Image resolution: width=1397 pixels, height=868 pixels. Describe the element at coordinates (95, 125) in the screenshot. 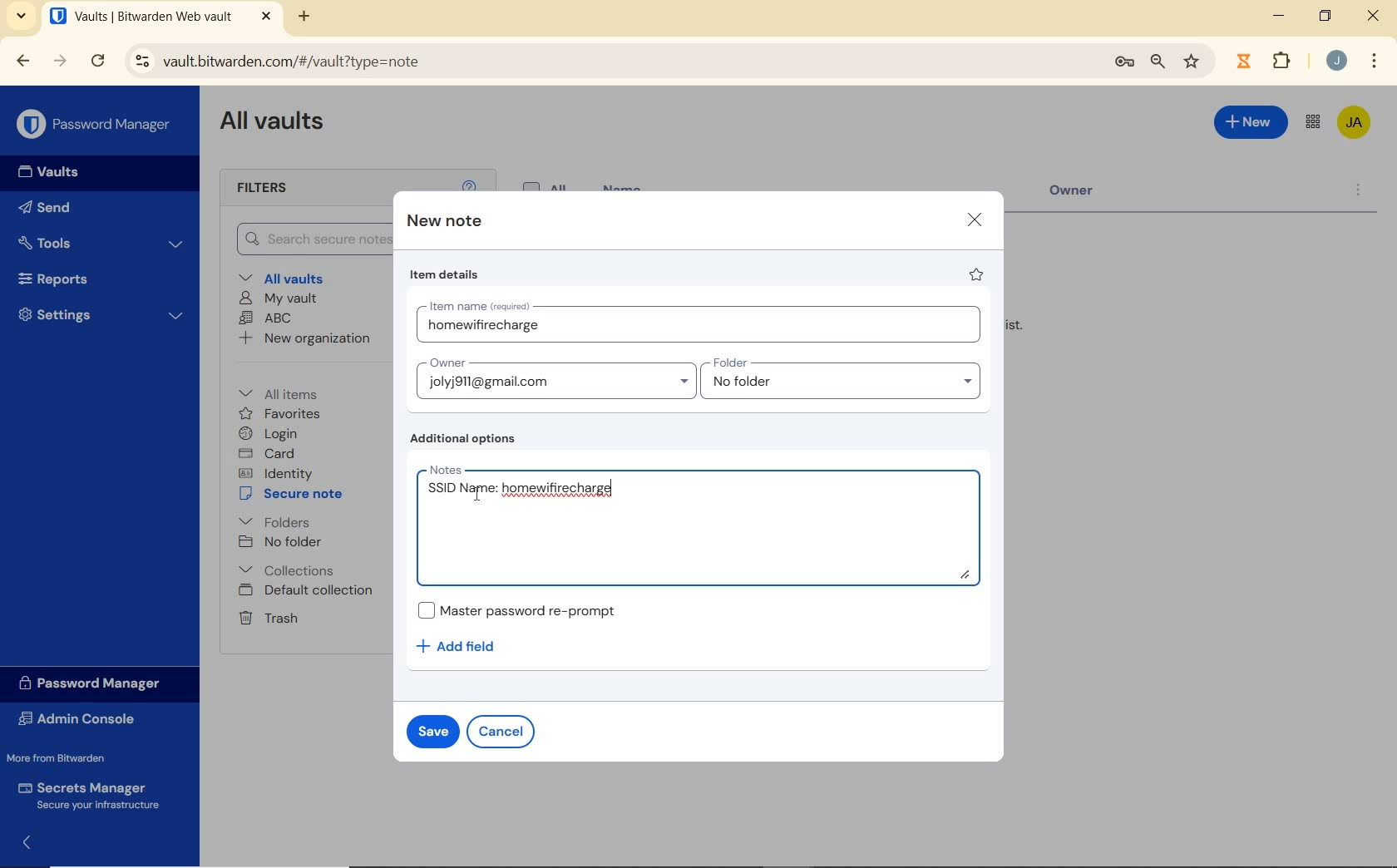

I see `Password Manager` at that location.